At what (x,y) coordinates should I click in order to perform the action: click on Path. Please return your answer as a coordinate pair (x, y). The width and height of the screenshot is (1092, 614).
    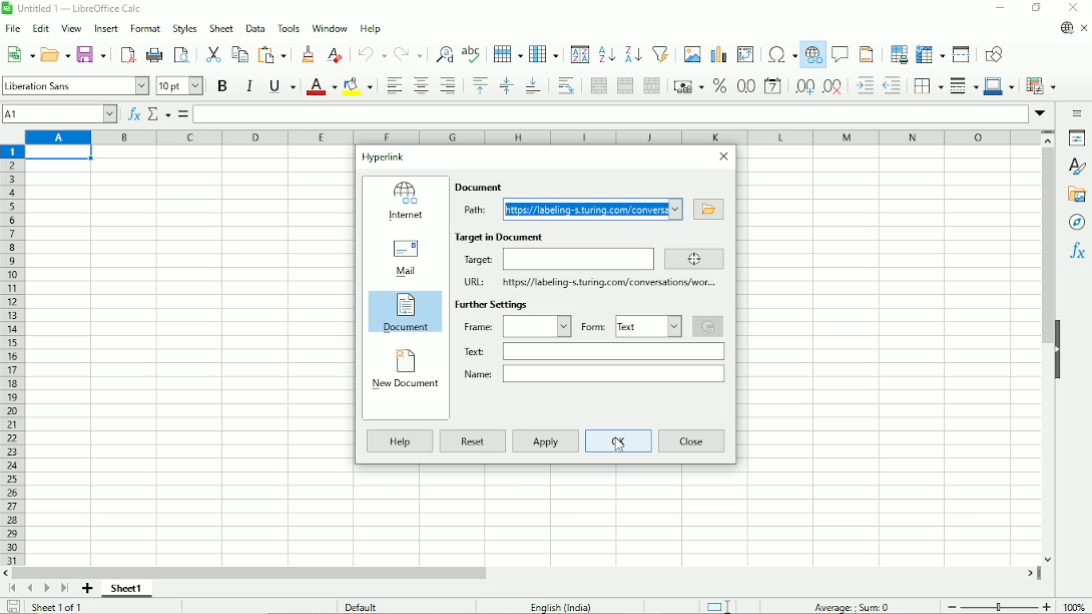
    Looking at the image, I should click on (479, 211).